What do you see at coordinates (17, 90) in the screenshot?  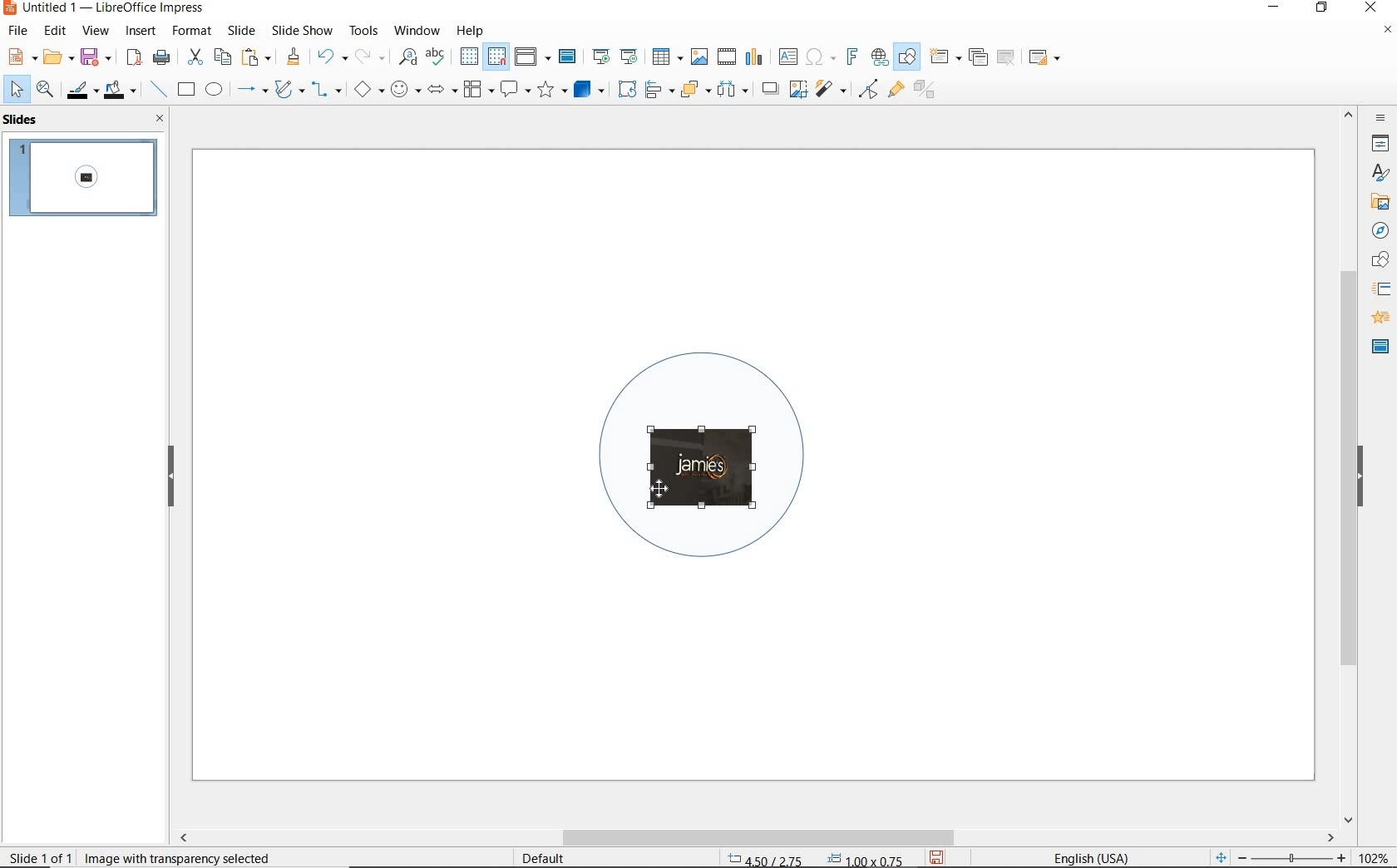 I see `select` at bounding box center [17, 90].